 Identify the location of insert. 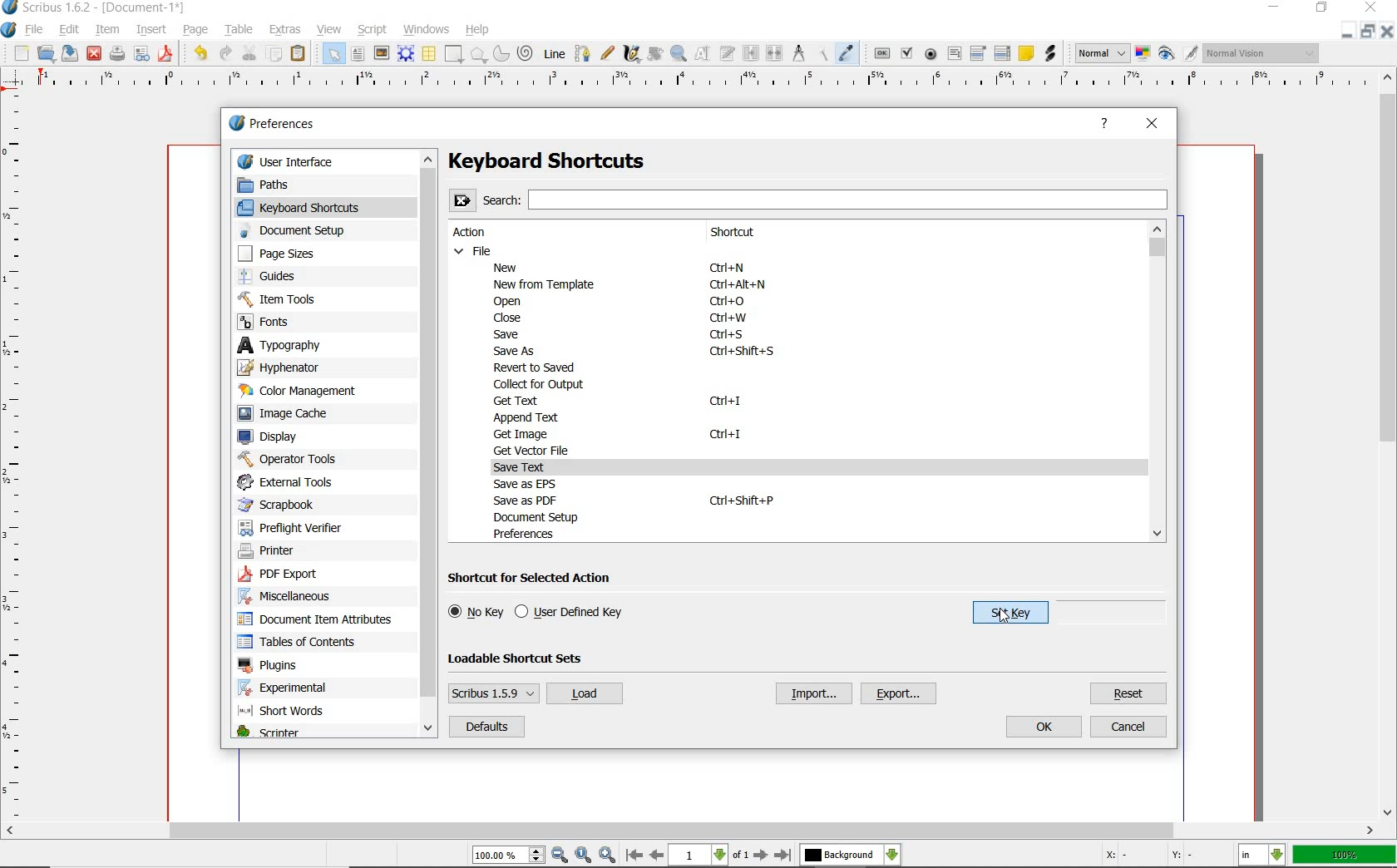
(151, 30).